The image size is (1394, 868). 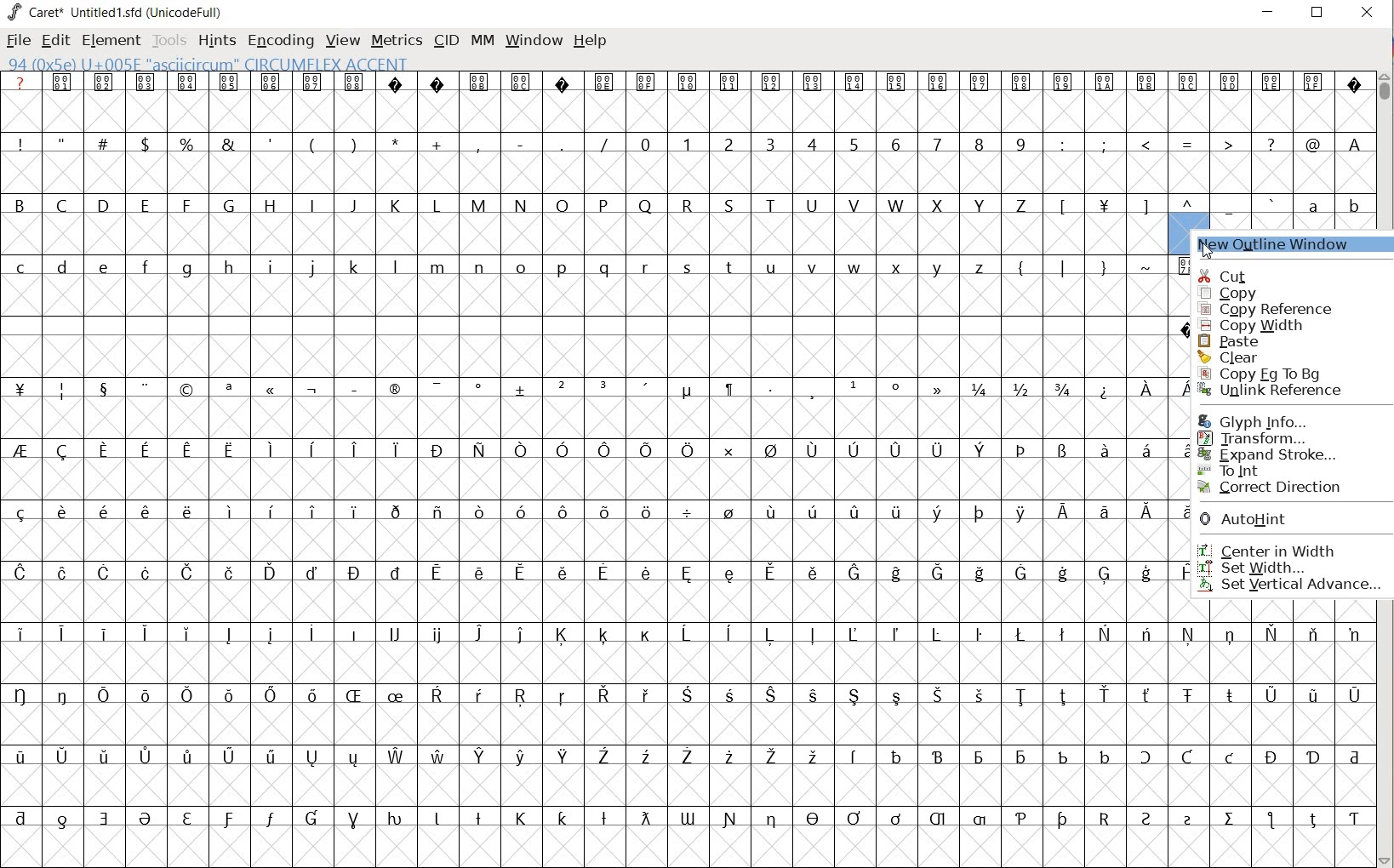 I want to click on paste, so click(x=1244, y=340).